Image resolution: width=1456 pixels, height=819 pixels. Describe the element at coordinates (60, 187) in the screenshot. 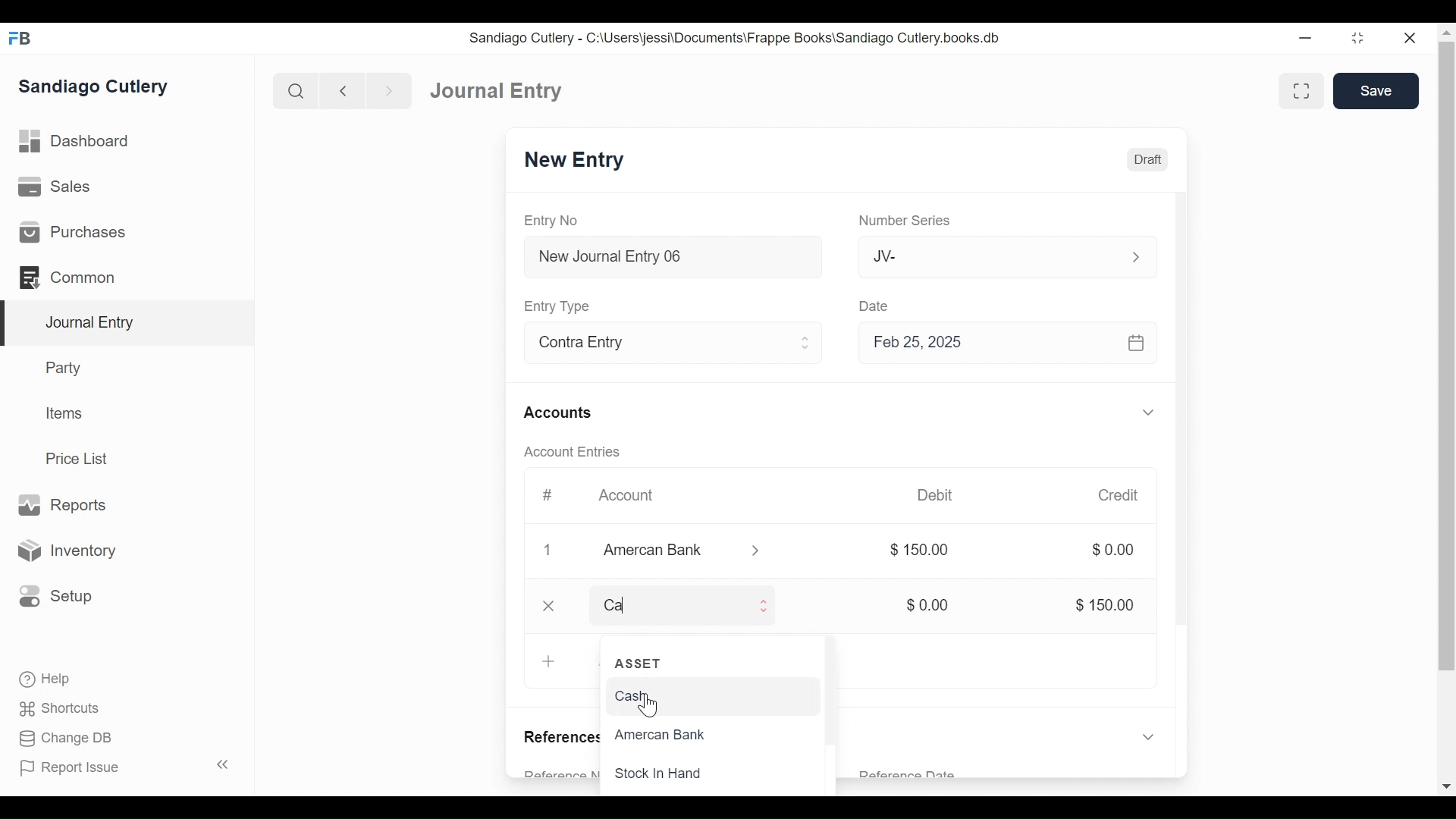

I see `Sales` at that location.